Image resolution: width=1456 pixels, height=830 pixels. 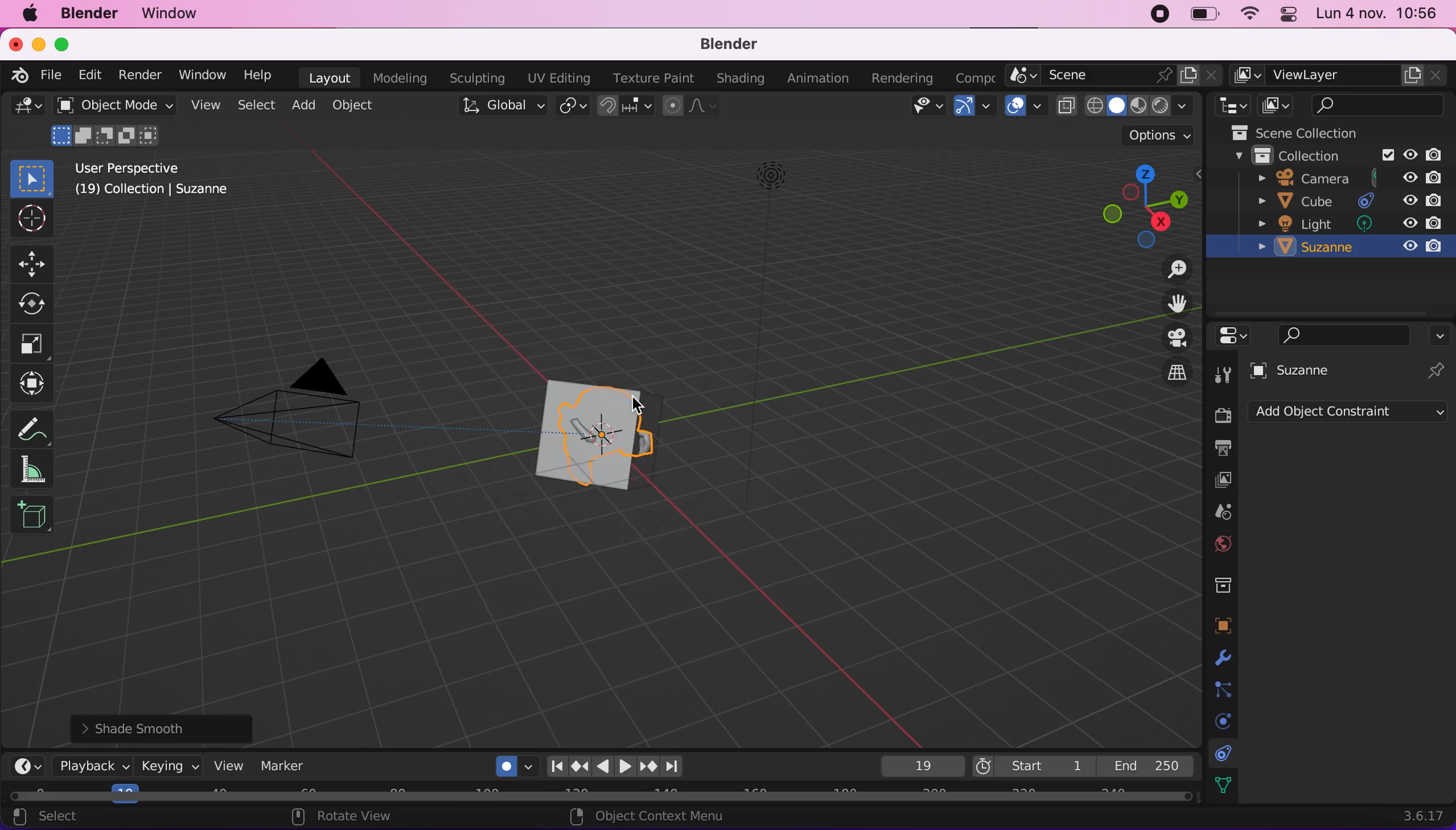 I want to click on search, so click(x=1346, y=334).